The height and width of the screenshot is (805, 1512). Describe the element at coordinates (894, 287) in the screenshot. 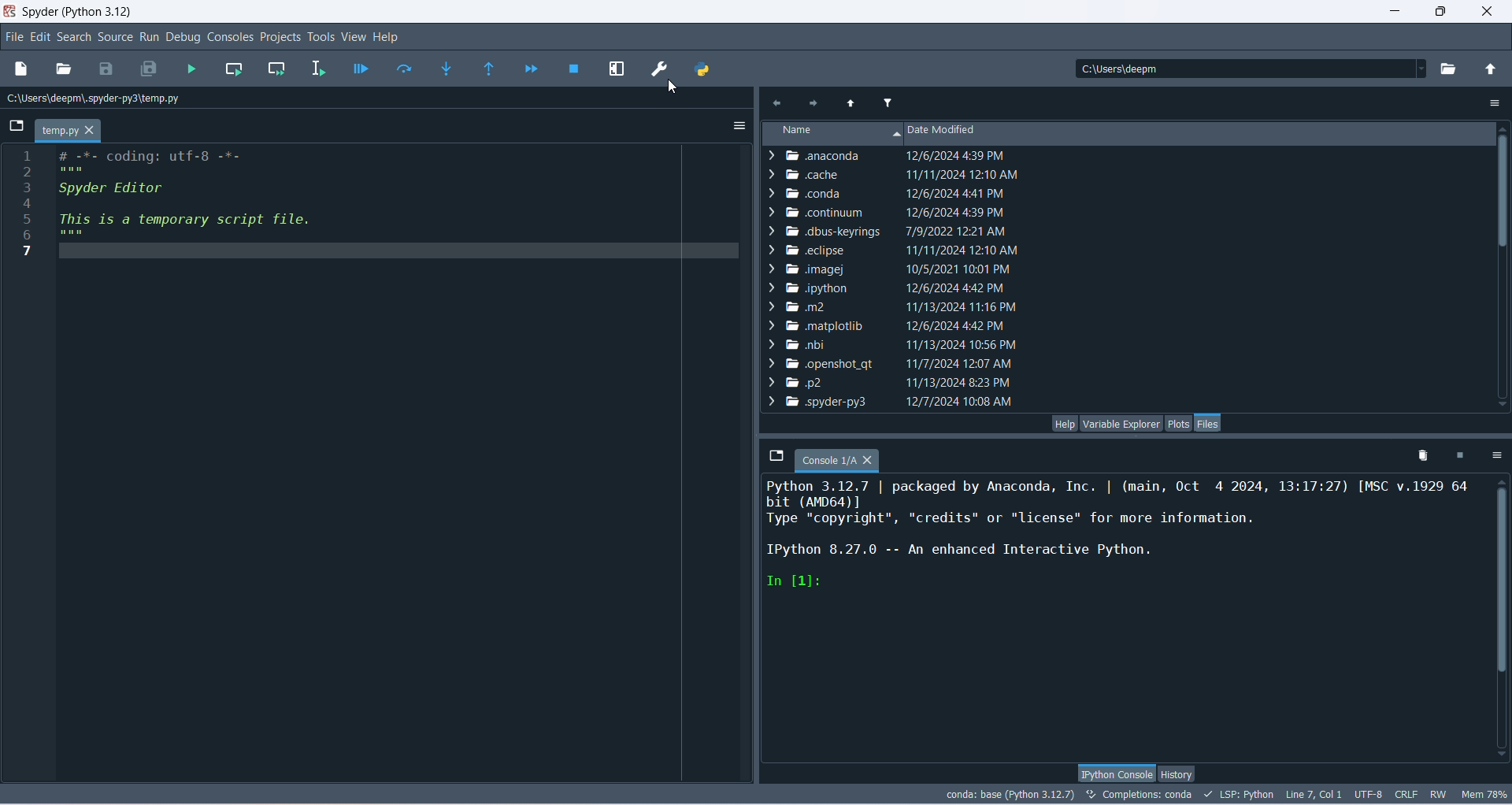

I see `folder details` at that location.